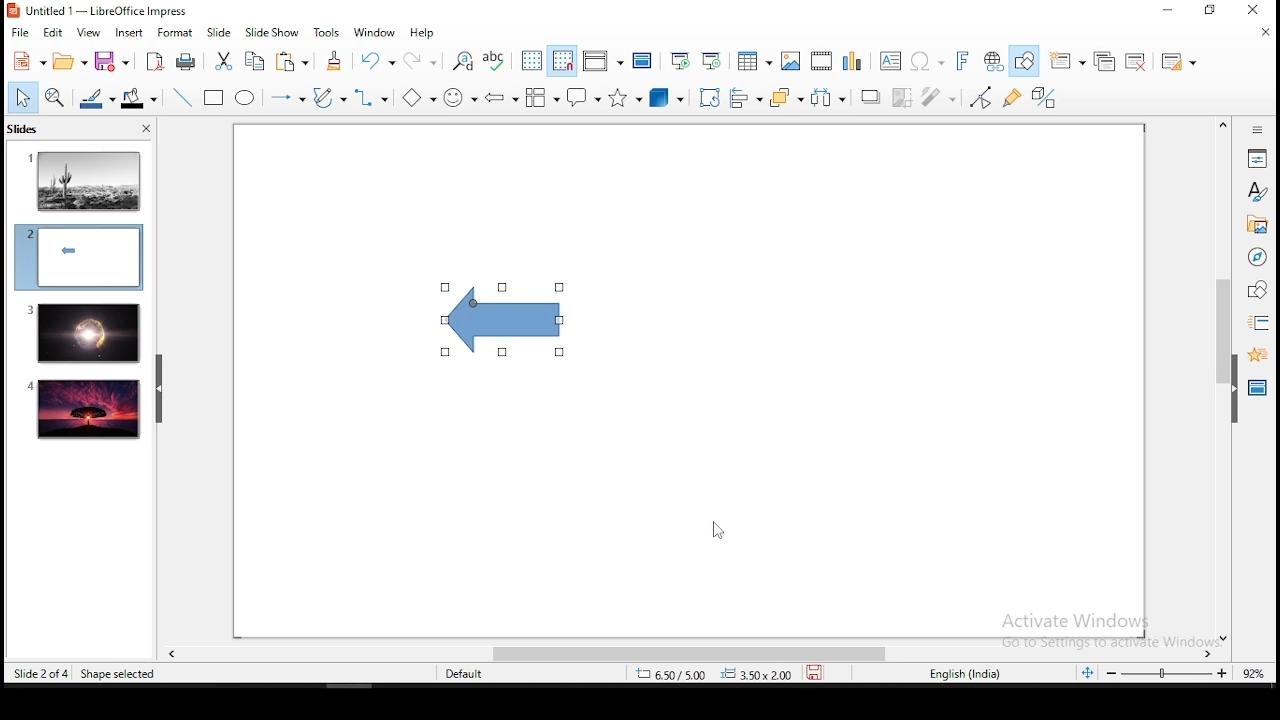 The width and height of the screenshot is (1280, 720). I want to click on master slide, so click(642, 60).